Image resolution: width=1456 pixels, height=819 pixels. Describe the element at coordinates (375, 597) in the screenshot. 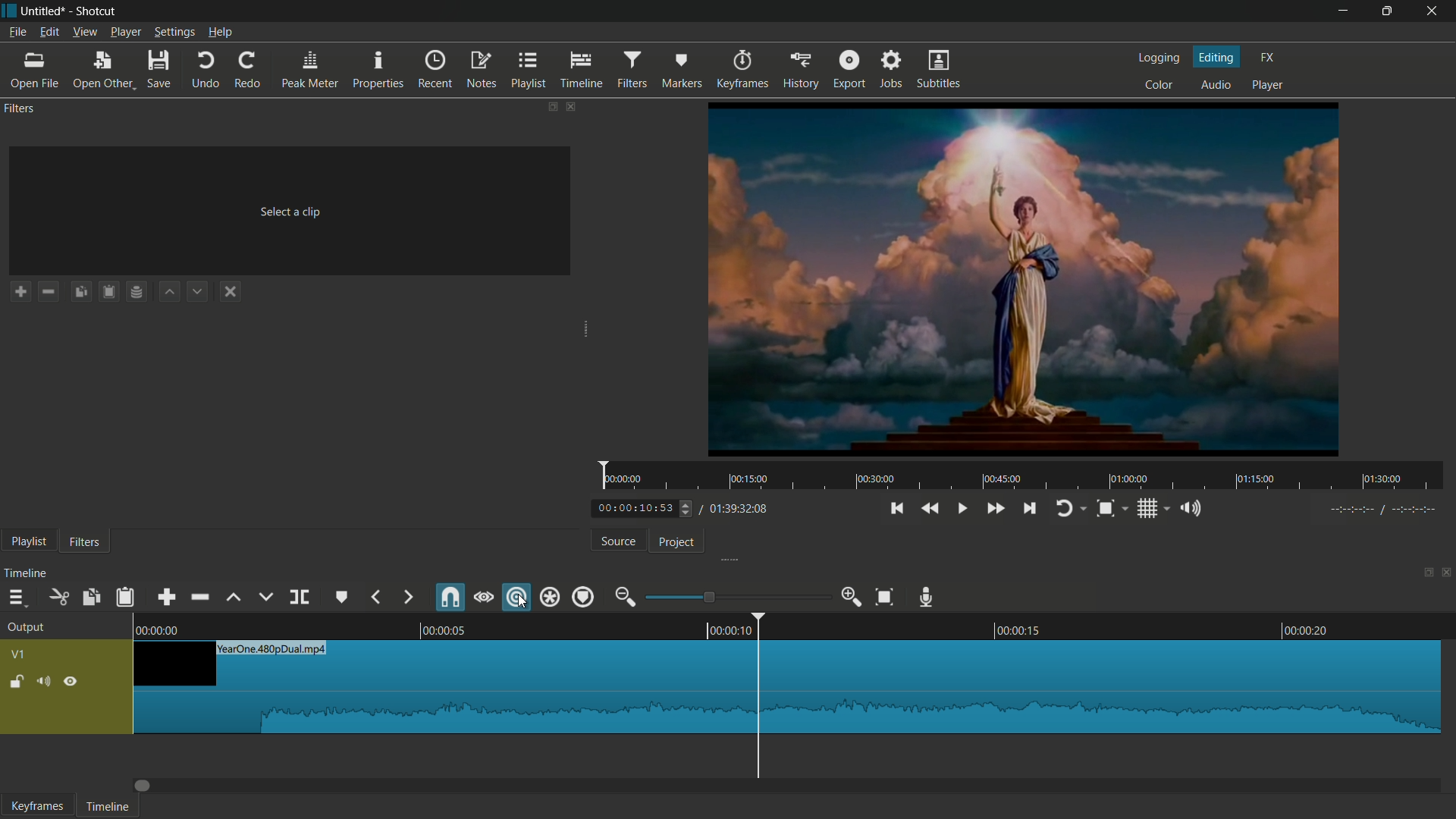

I see `previous markers` at that location.